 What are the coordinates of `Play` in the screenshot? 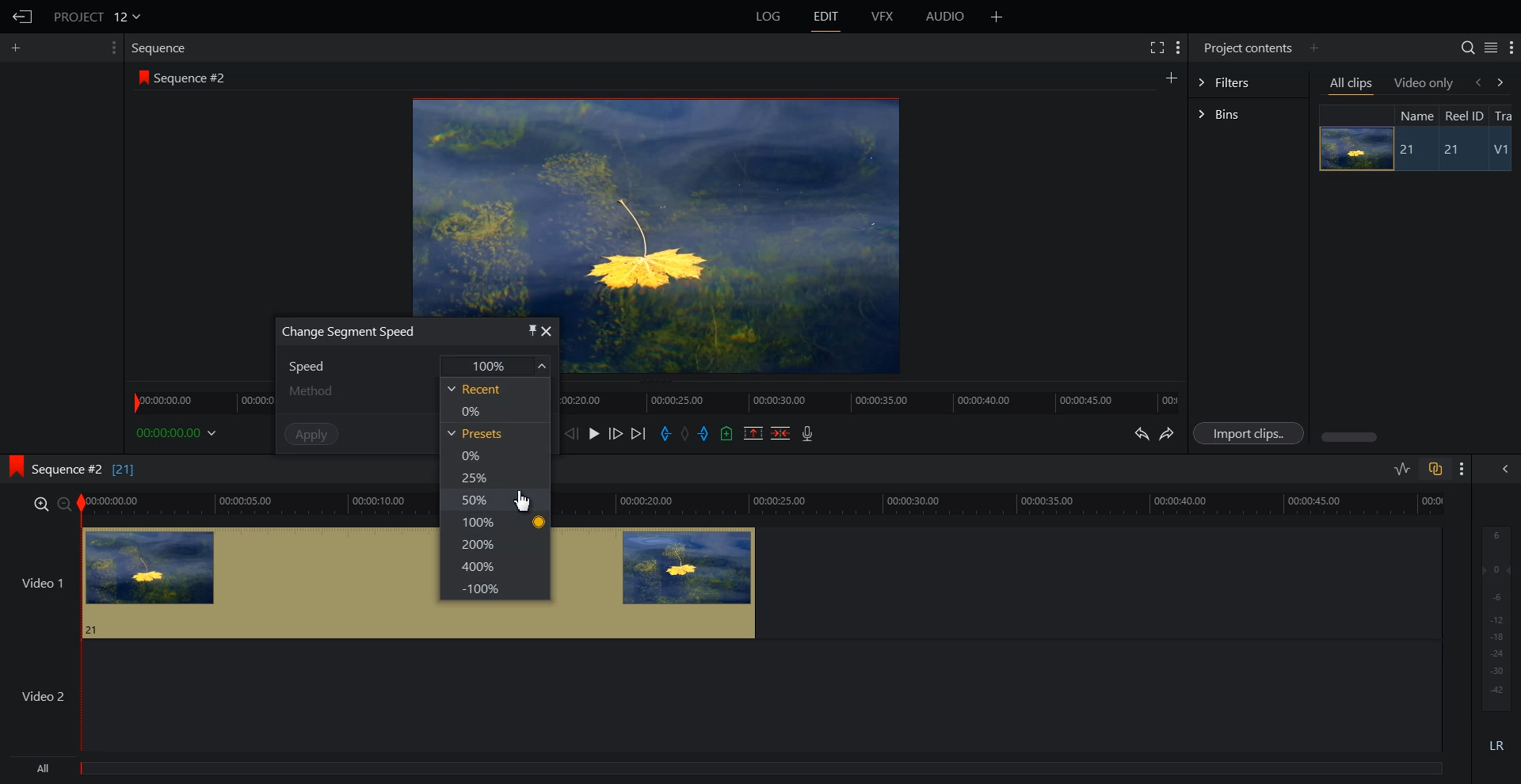 It's located at (596, 433).